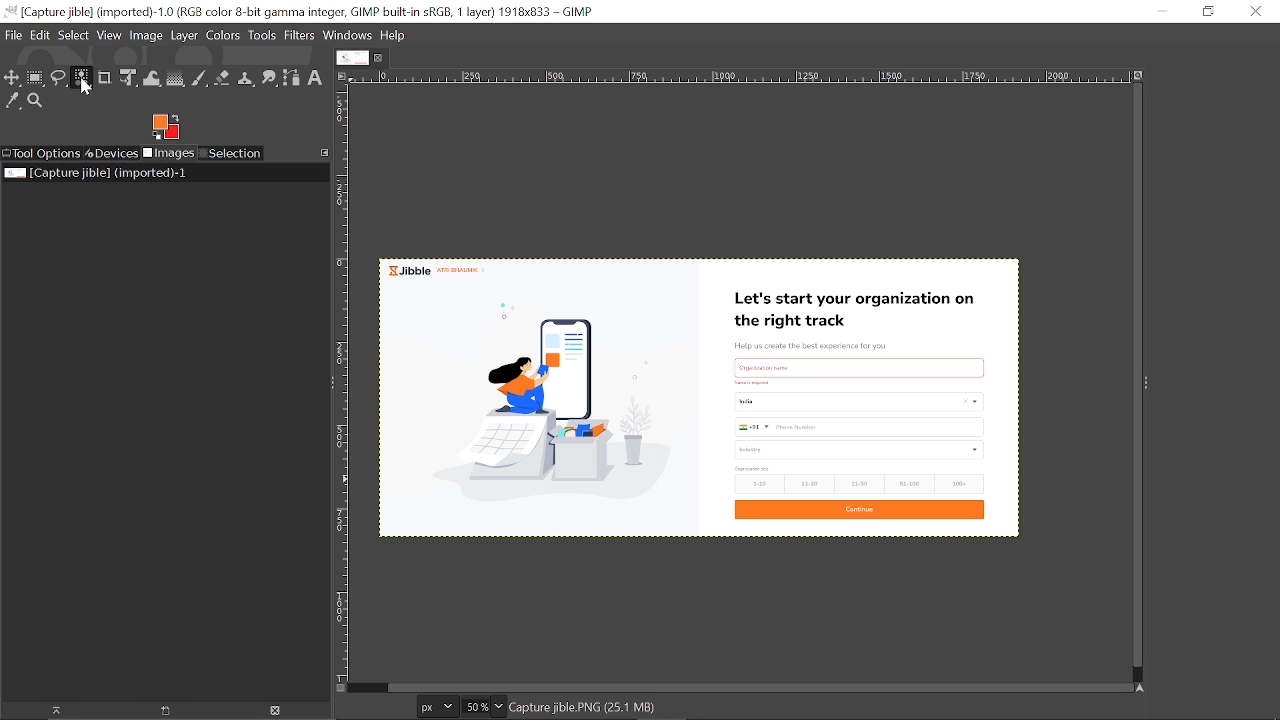  What do you see at coordinates (38, 102) in the screenshot?
I see `Zoom tool` at bounding box center [38, 102].